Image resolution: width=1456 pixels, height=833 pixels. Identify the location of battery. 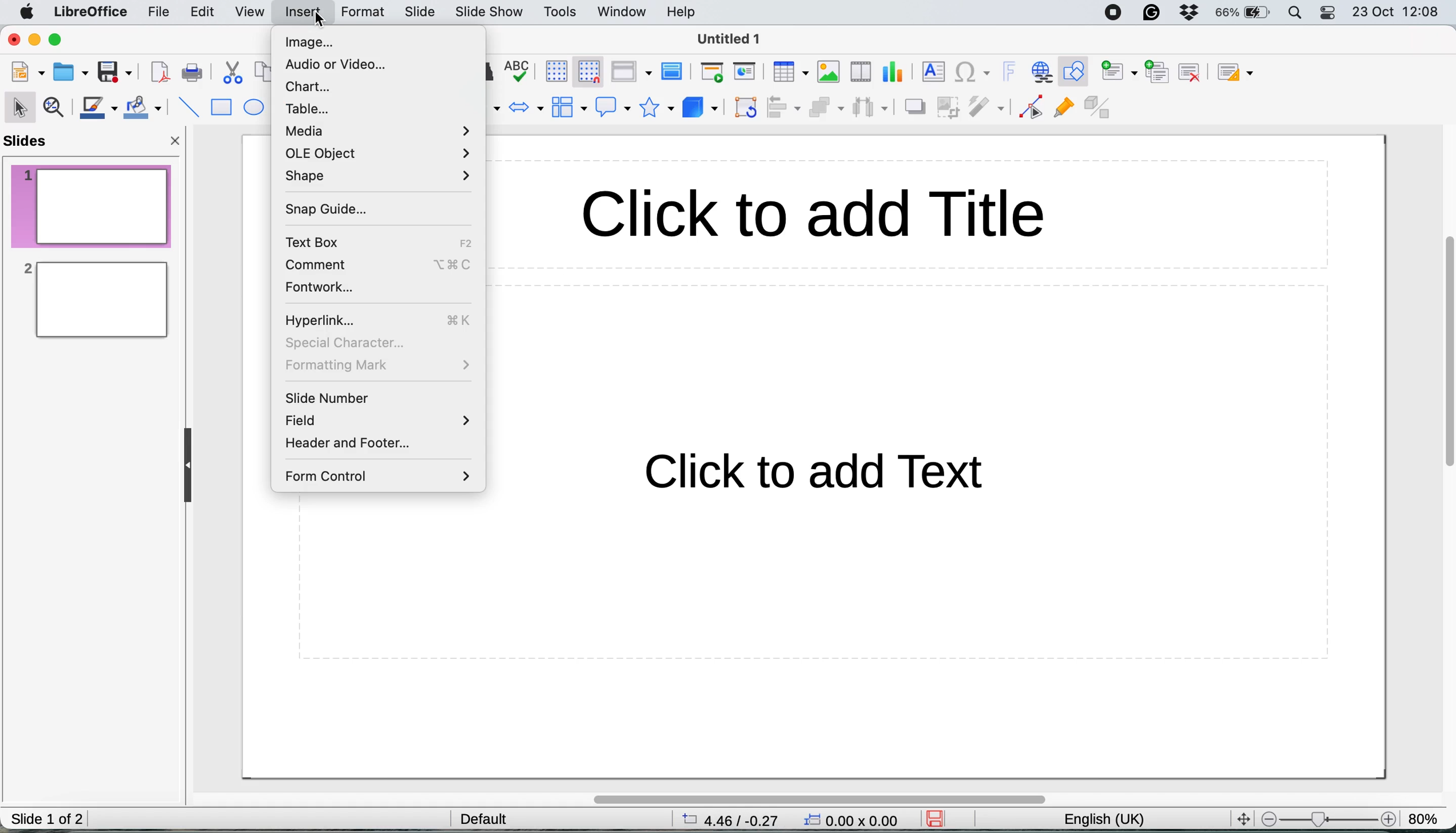
(1243, 13).